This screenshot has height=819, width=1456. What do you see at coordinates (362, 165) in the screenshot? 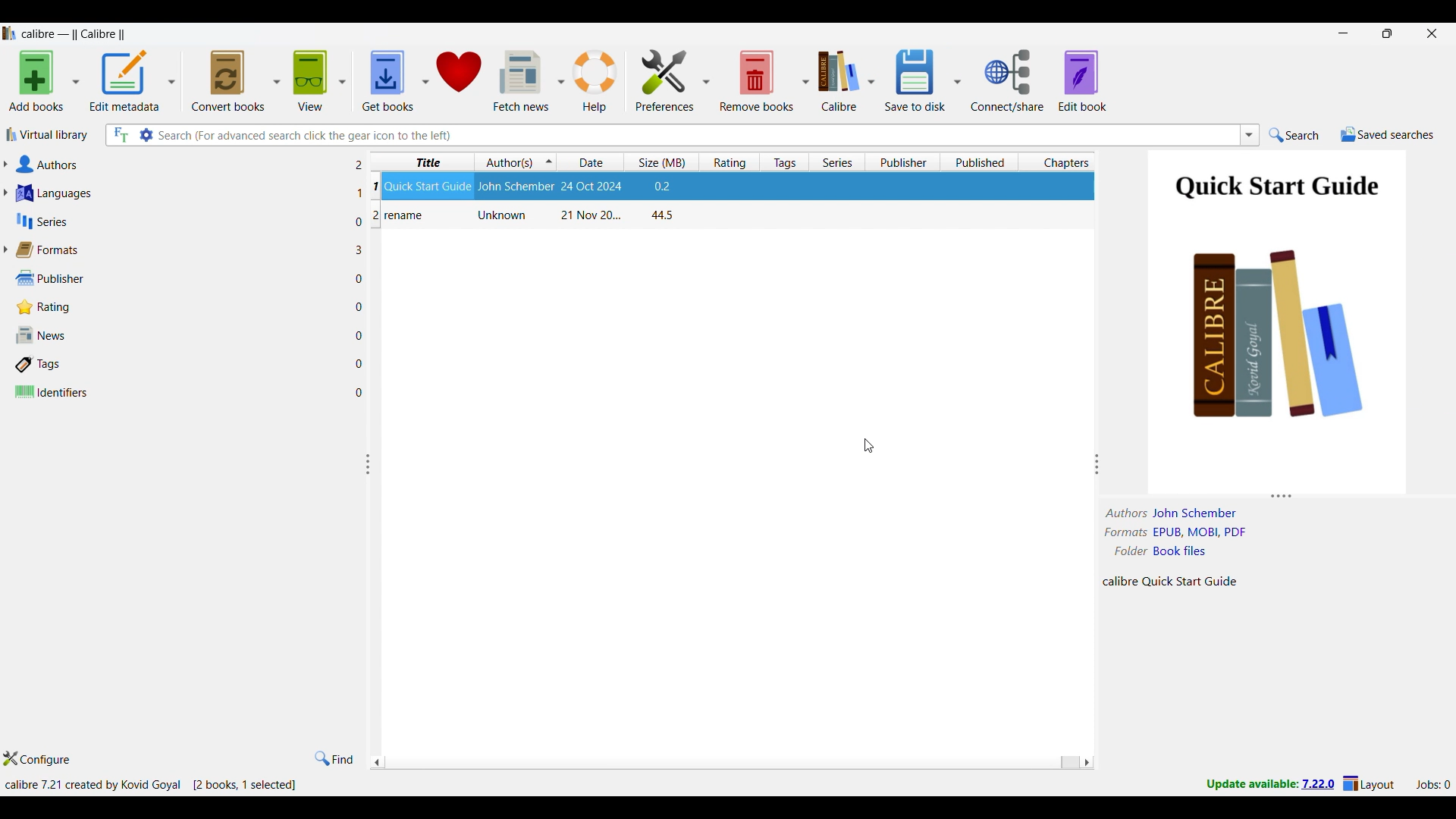
I see `2` at bounding box center [362, 165].